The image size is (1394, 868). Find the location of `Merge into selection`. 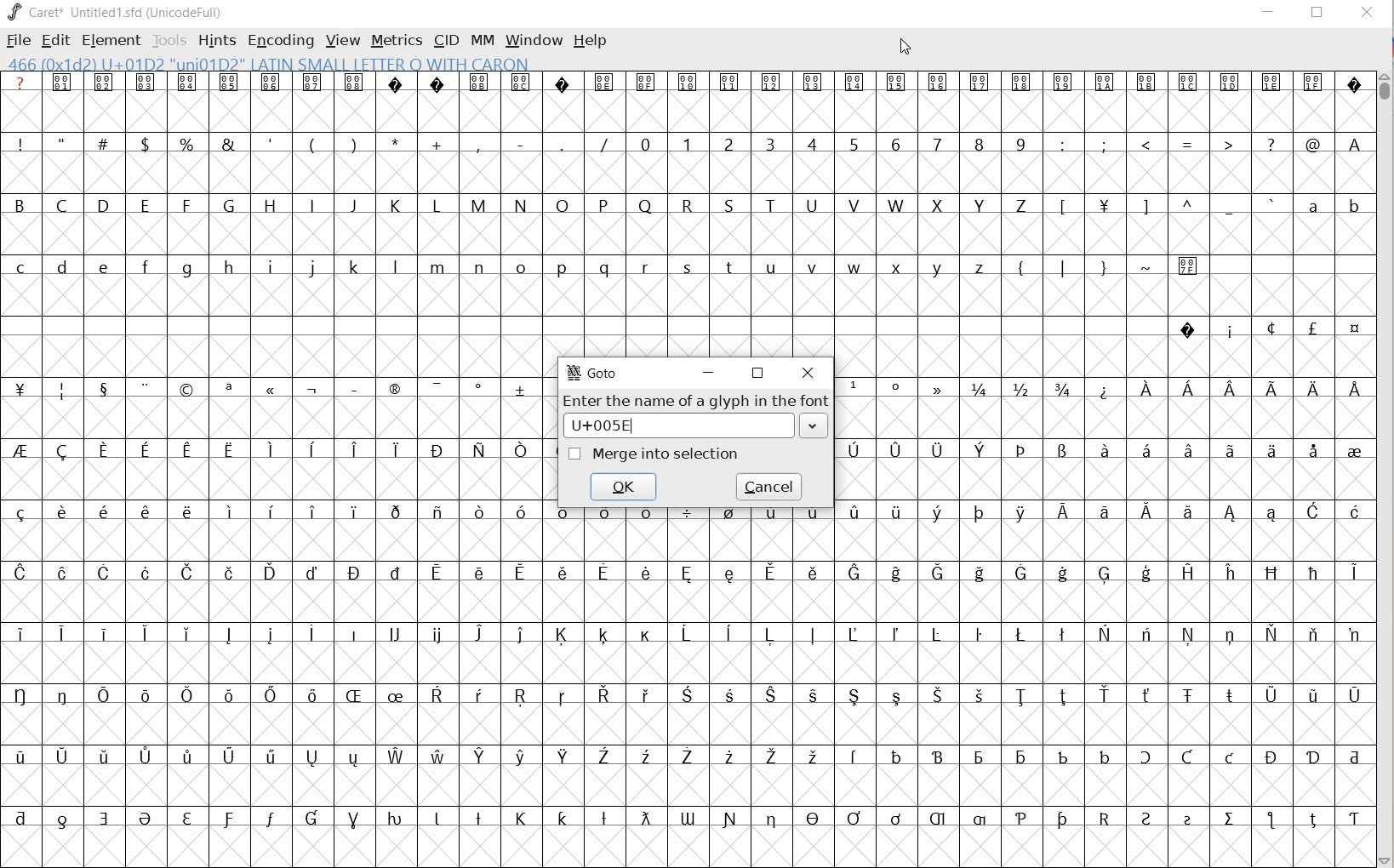

Merge into selection is located at coordinates (655, 454).